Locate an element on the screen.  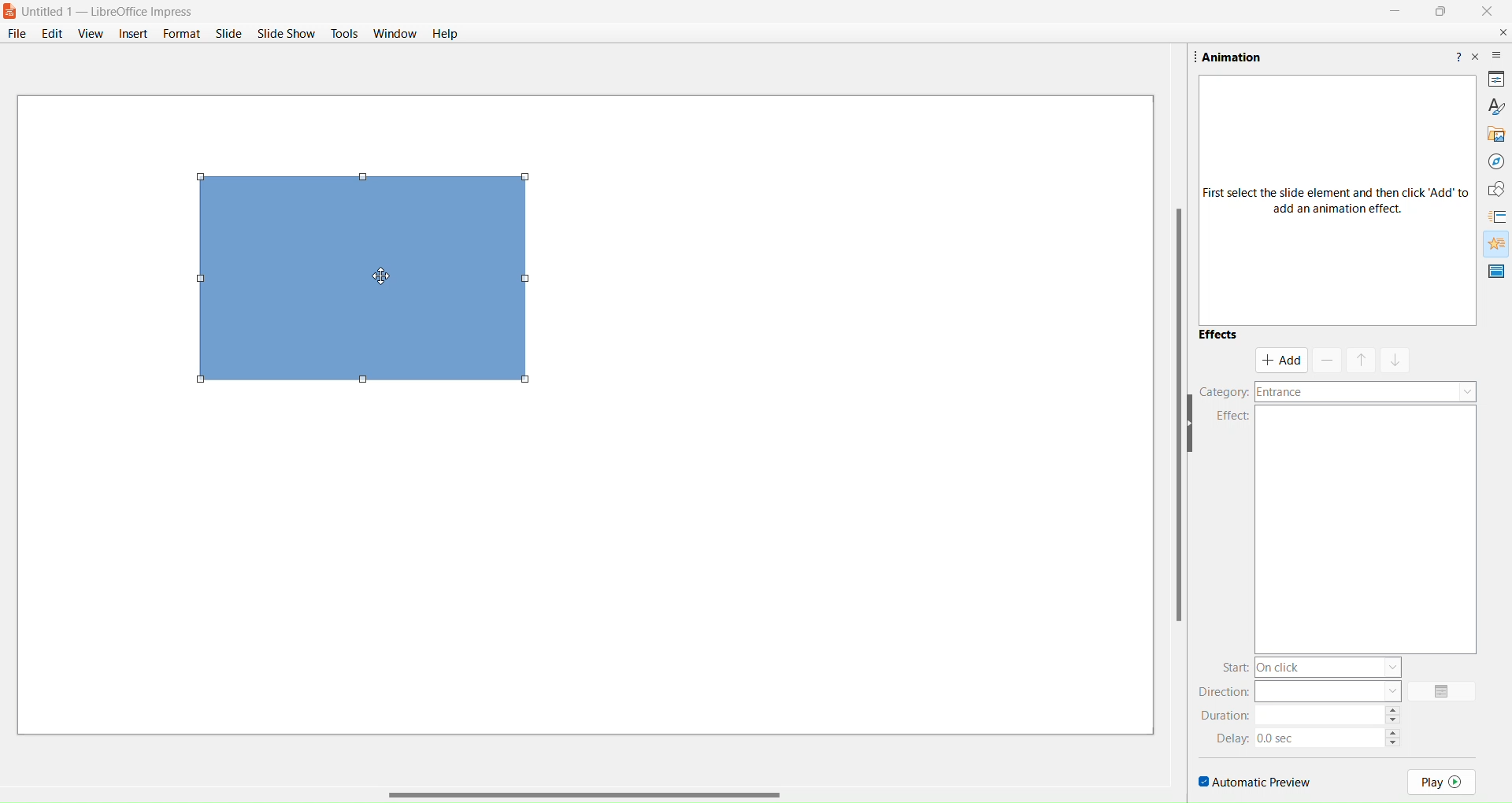
cursor is located at coordinates (384, 277).